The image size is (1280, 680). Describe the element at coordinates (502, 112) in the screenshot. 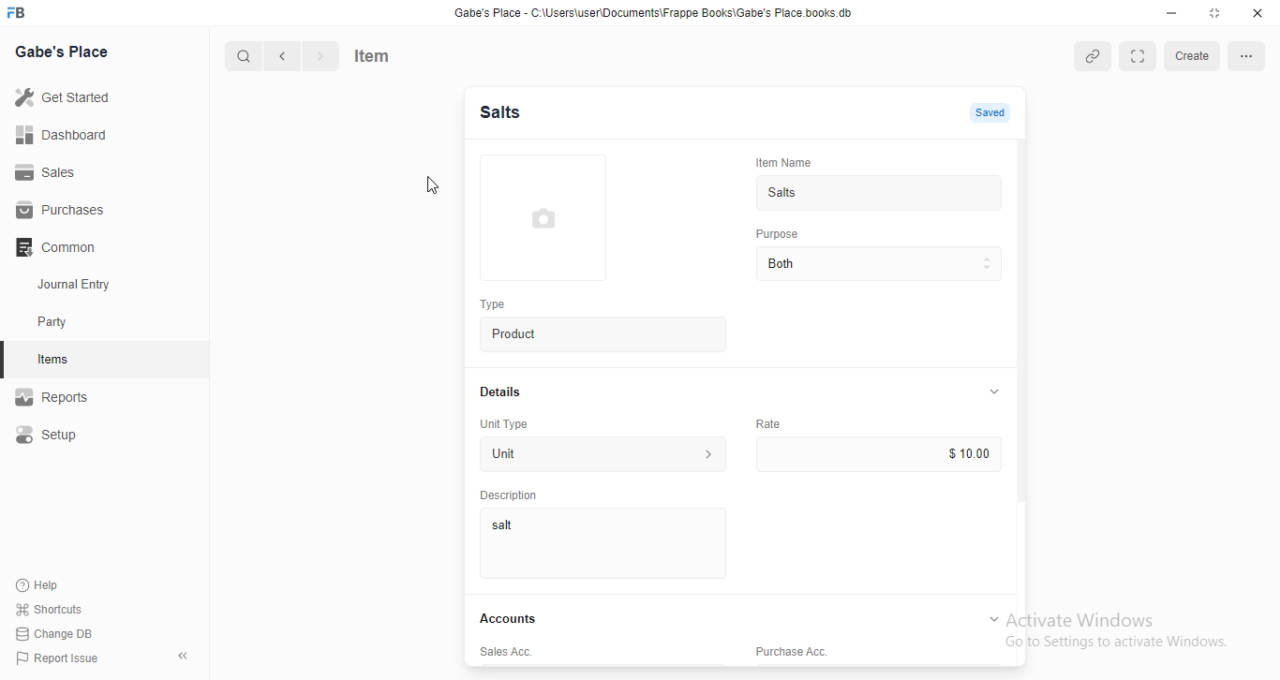

I see `Salts` at that location.